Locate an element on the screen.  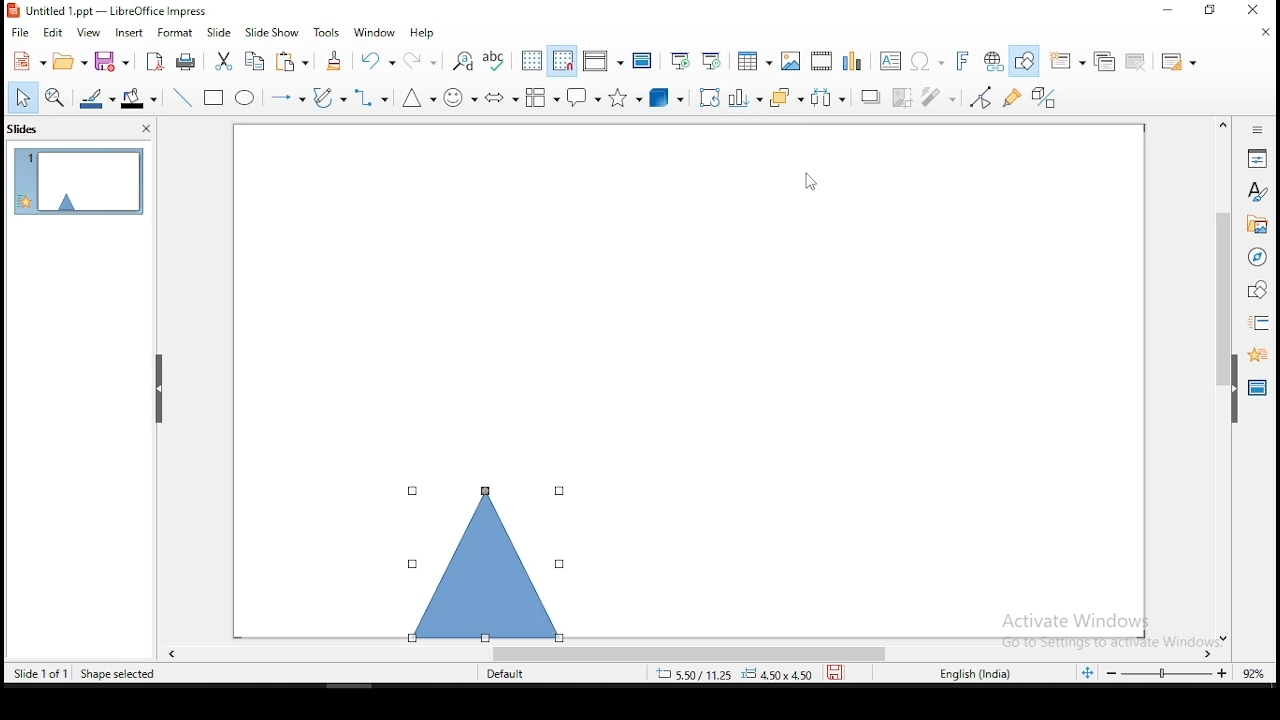
copy is located at coordinates (260, 64).